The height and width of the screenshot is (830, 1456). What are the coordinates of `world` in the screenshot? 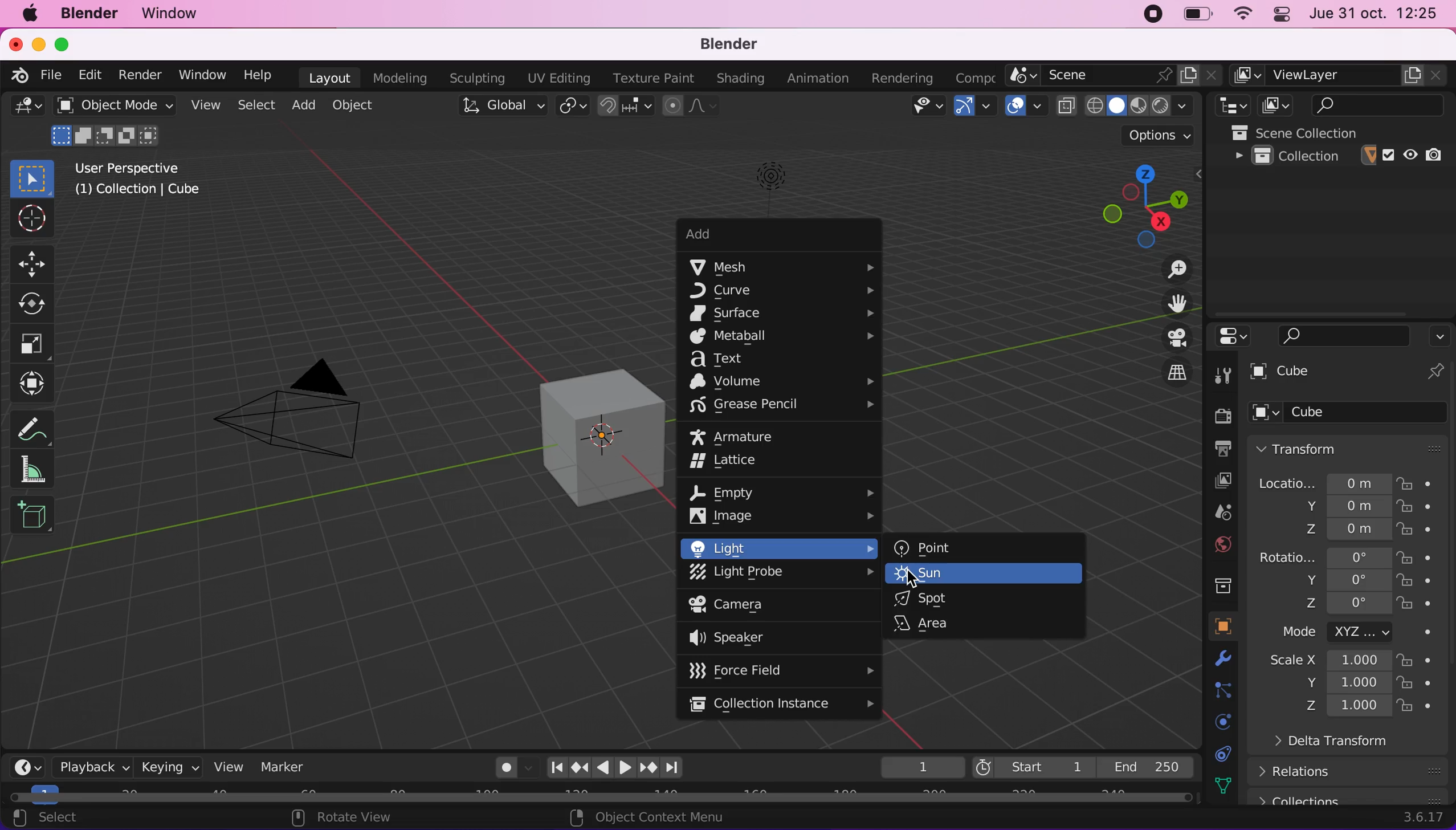 It's located at (1213, 545).